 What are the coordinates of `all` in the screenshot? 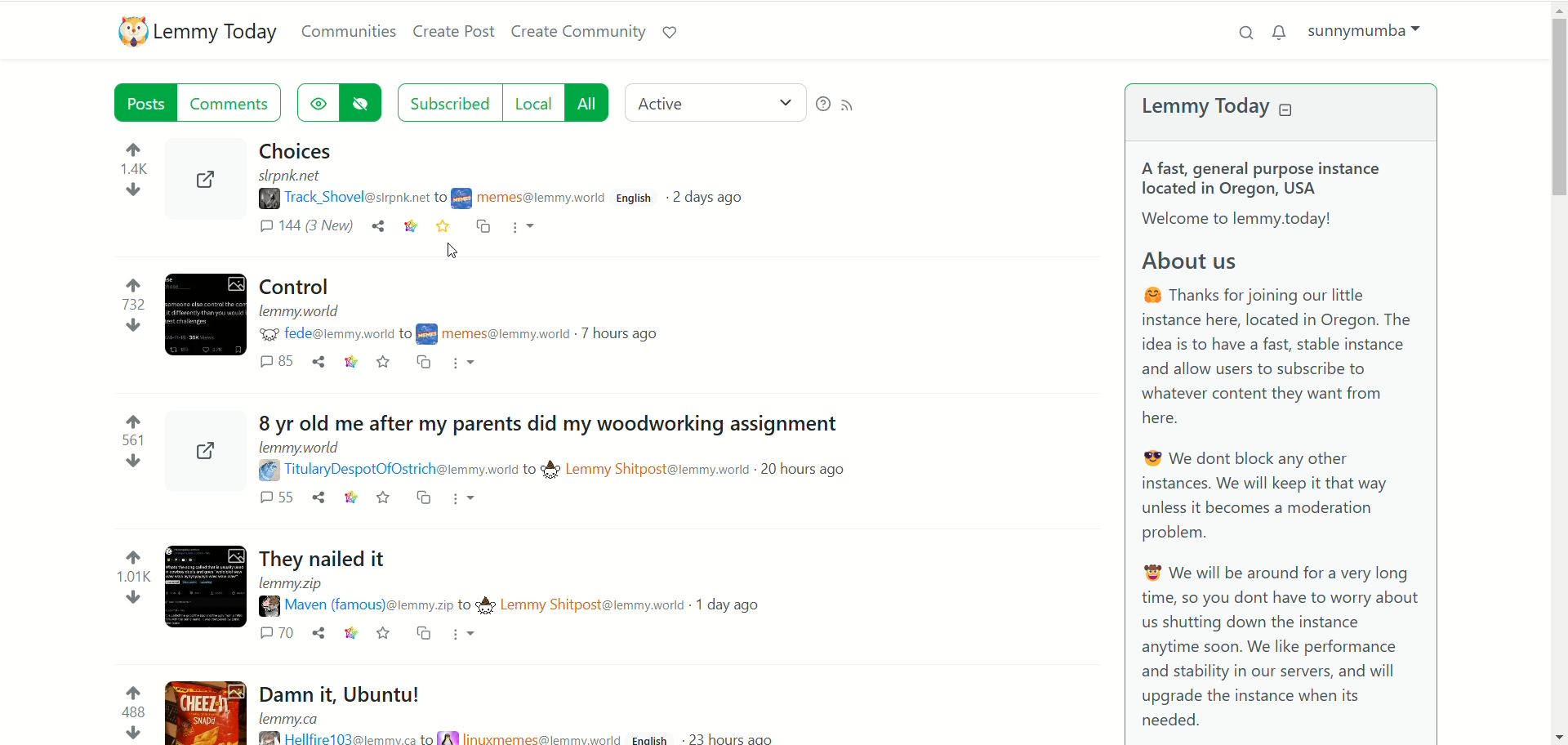 It's located at (590, 104).